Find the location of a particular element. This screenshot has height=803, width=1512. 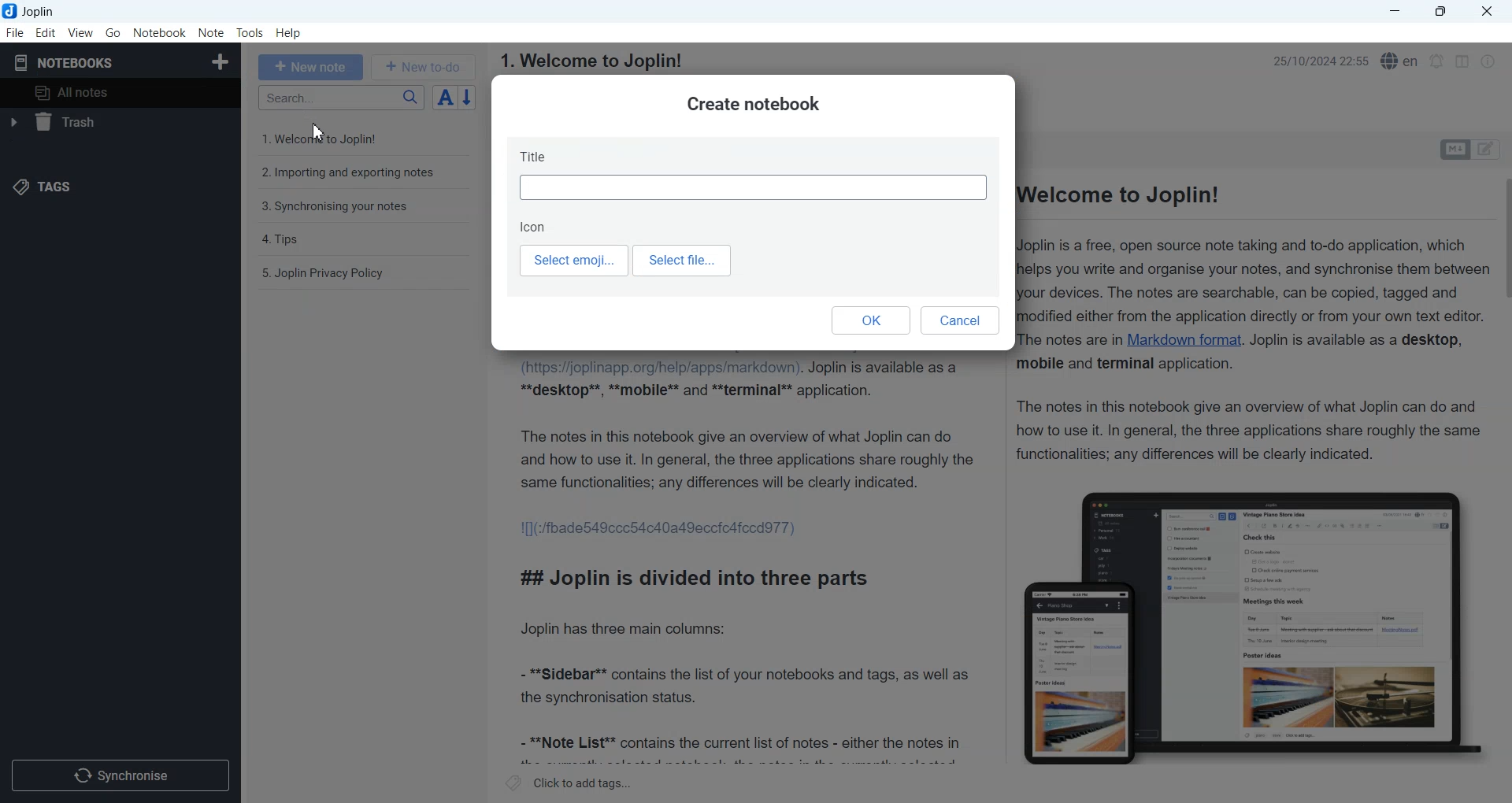

Notebook is located at coordinates (160, 33).